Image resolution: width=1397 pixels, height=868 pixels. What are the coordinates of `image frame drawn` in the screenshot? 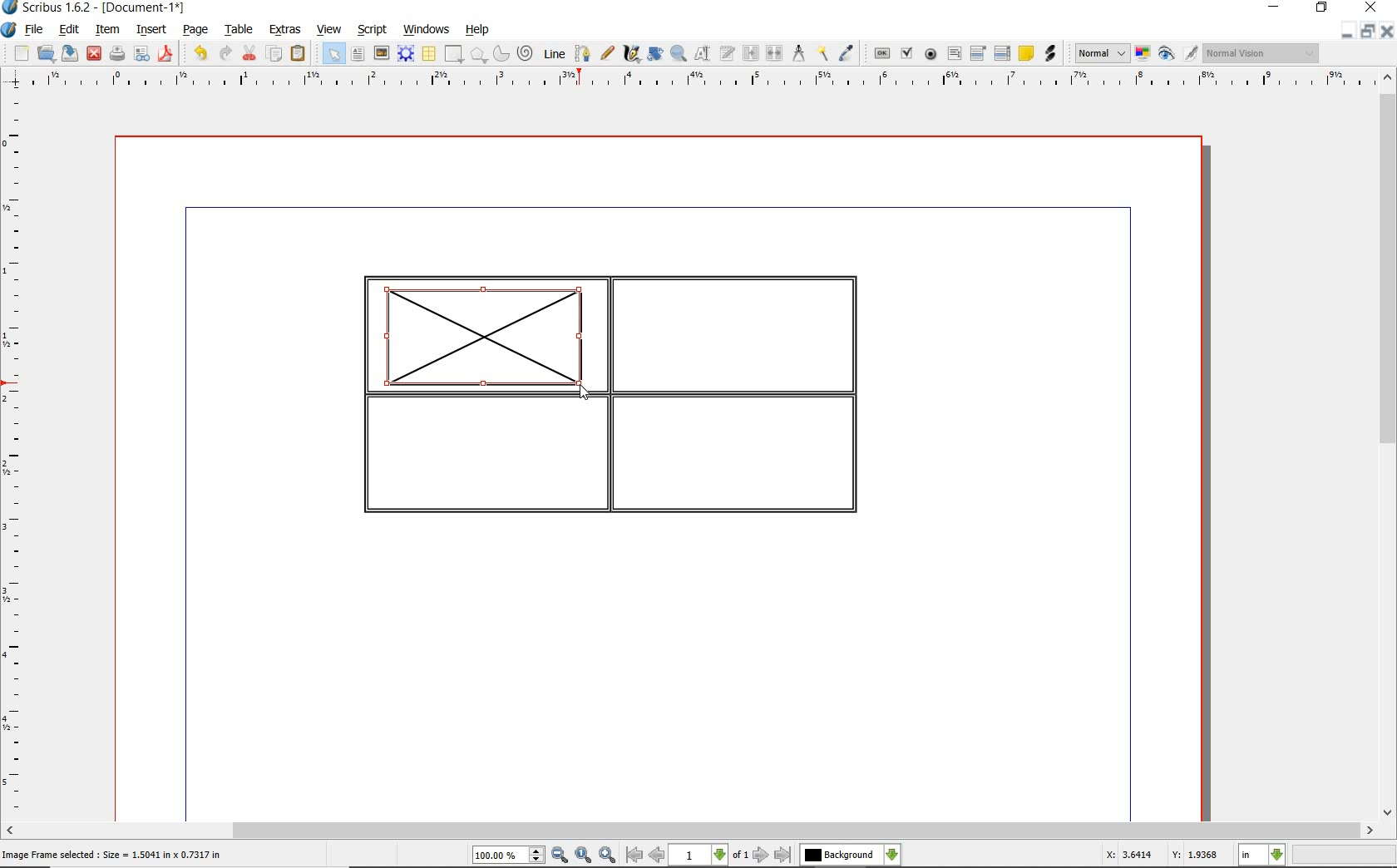 It's located at (489, 338).